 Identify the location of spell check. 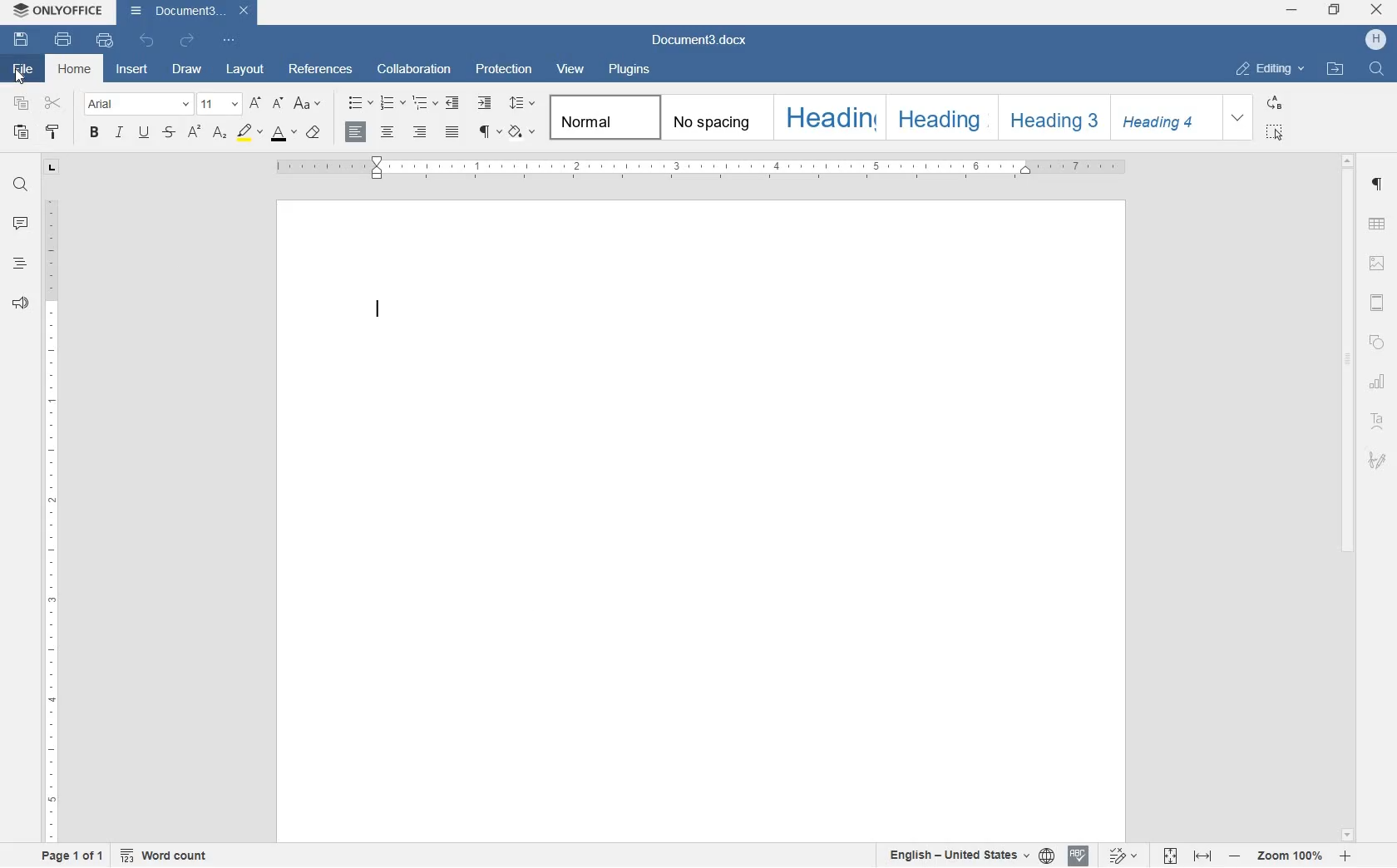
(1079, 854).